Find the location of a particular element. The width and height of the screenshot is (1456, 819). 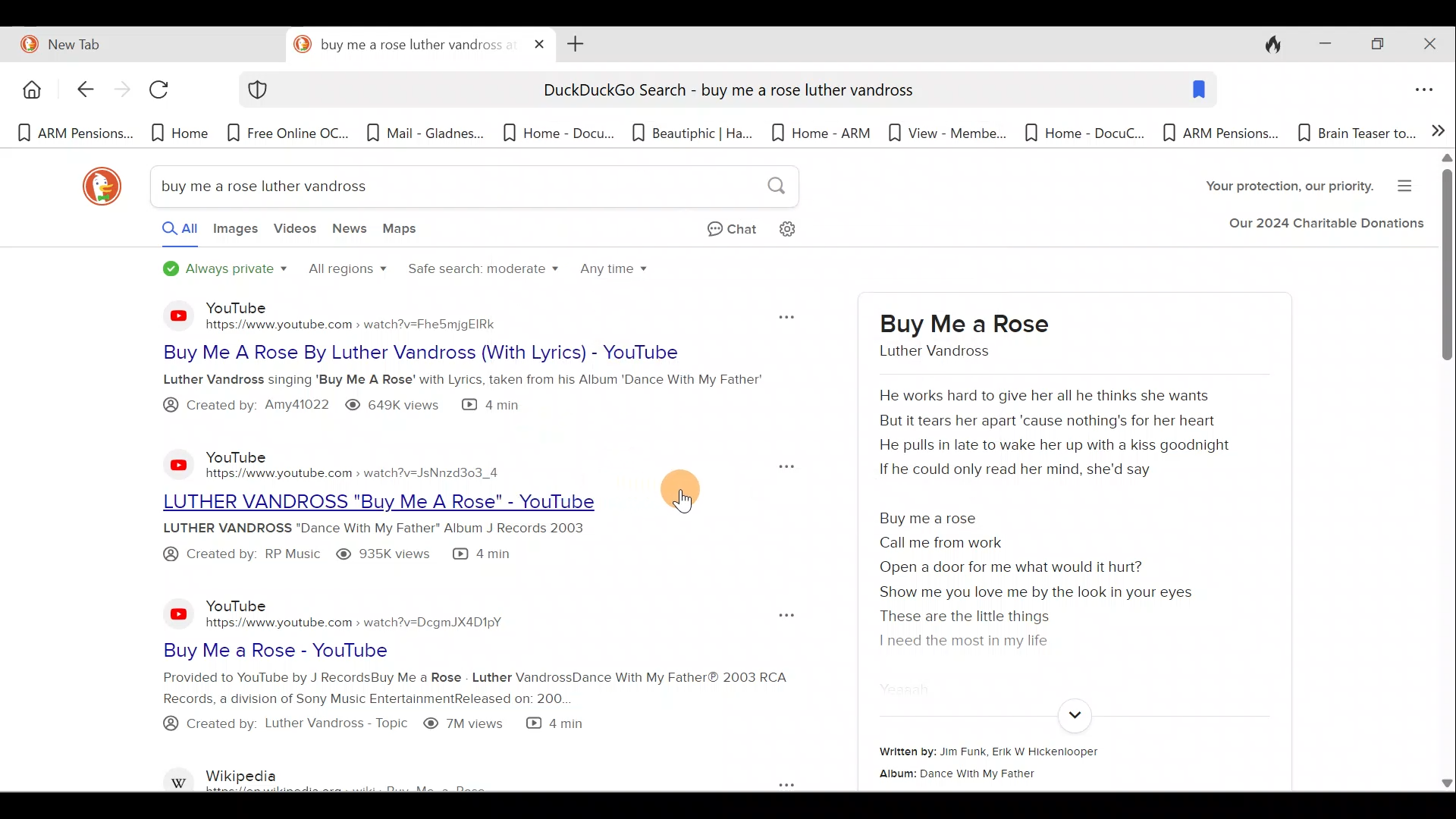

Application menu is located at coordinates (1428, 91).